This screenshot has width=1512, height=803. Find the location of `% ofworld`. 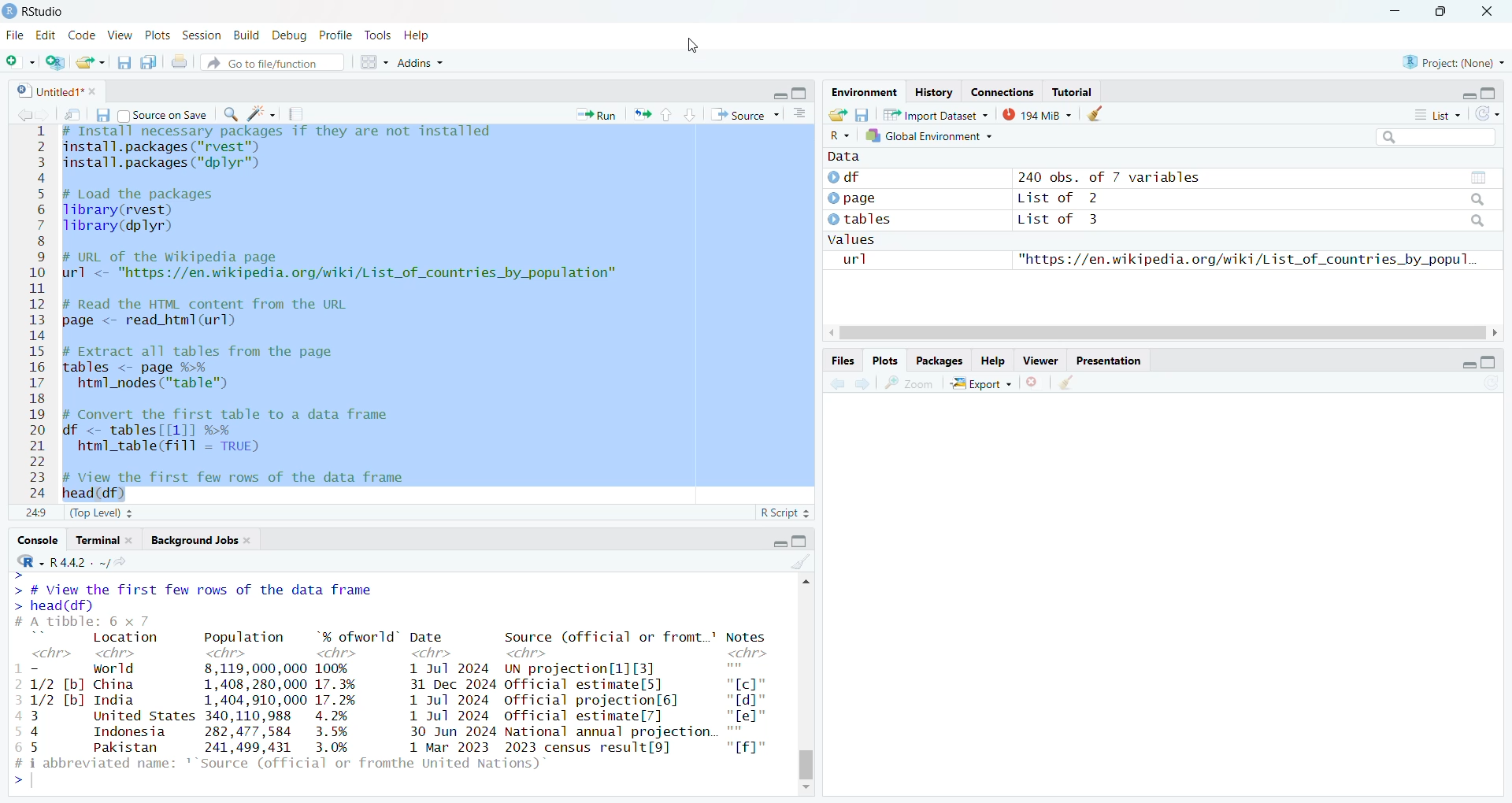

% ofworld is located at coordinates (358, 635).